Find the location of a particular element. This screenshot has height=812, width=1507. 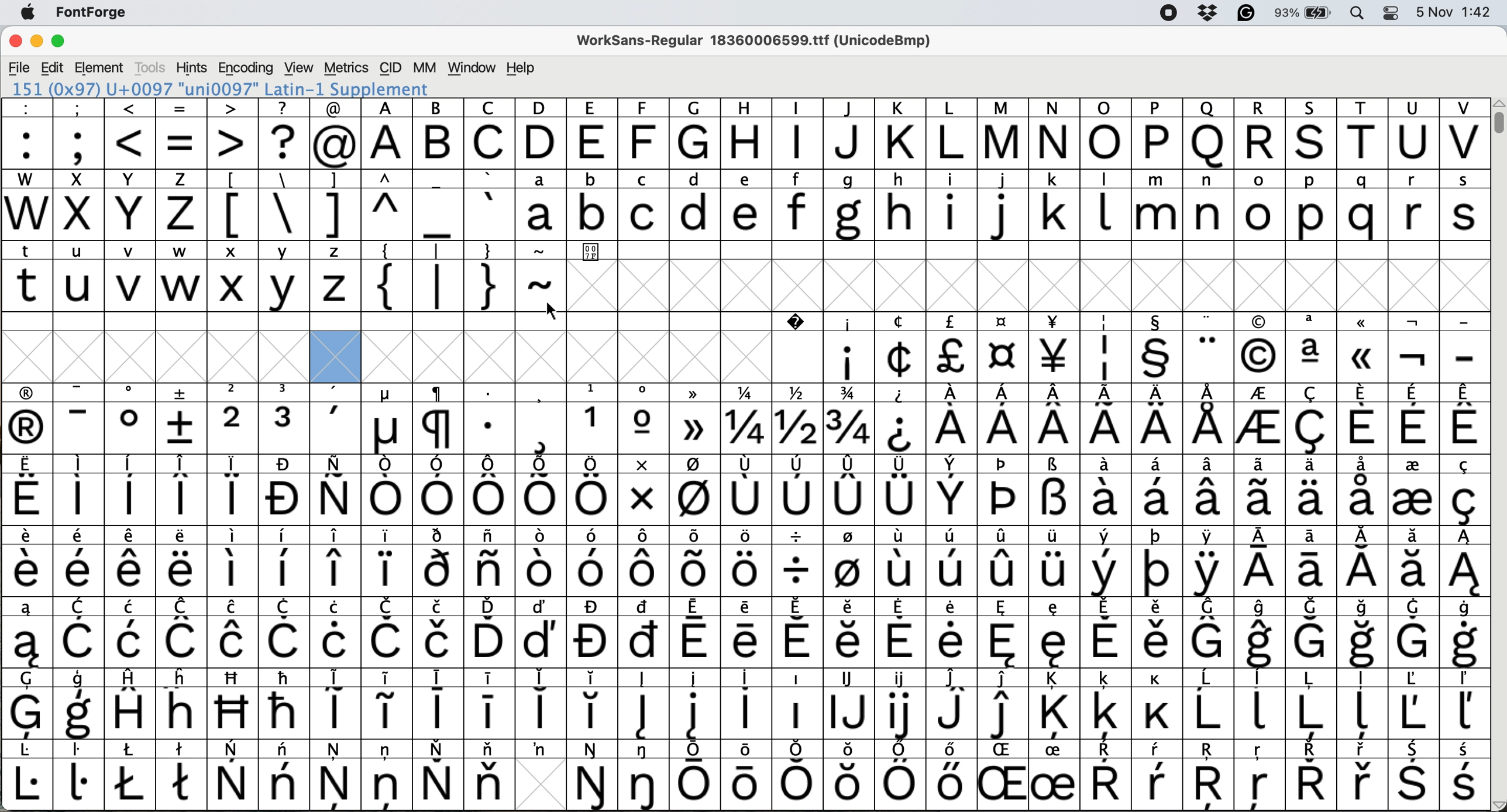

symbol is located at coordinates (901, 703).